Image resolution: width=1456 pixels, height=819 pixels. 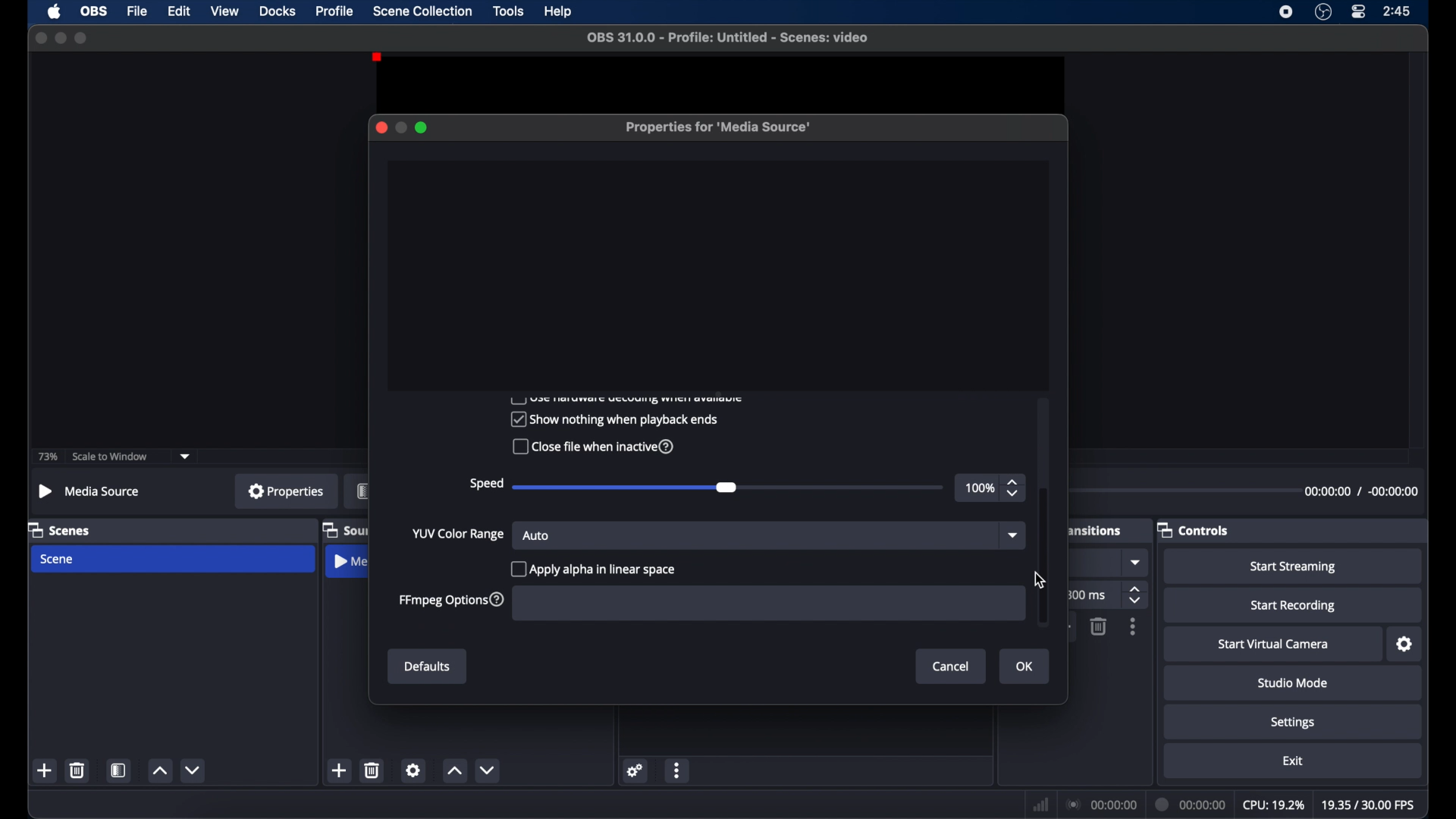 I want to click on maximize, so click(x=422, y=127).